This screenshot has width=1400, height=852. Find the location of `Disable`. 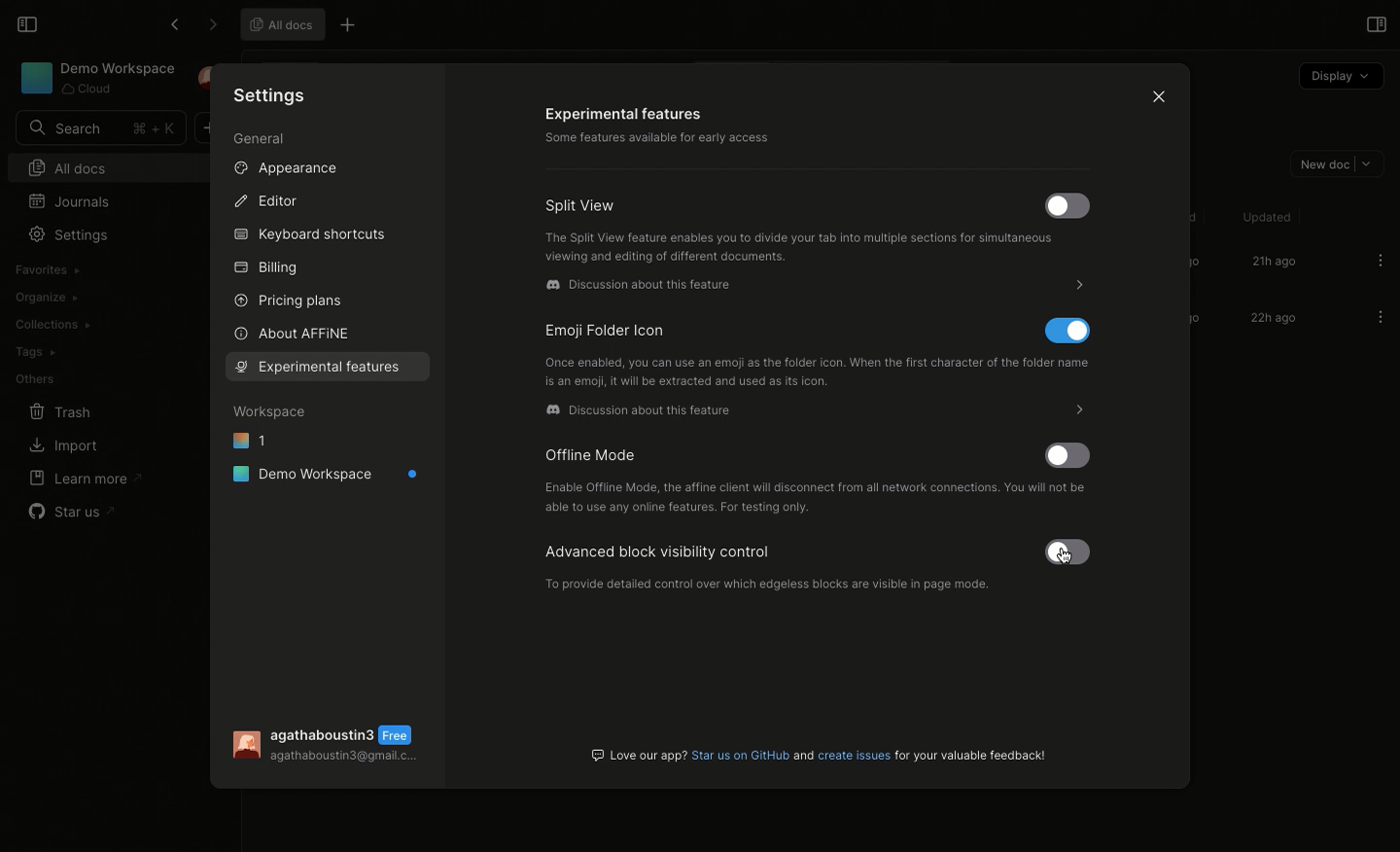

Disable is located at coordinates (1070, 330).